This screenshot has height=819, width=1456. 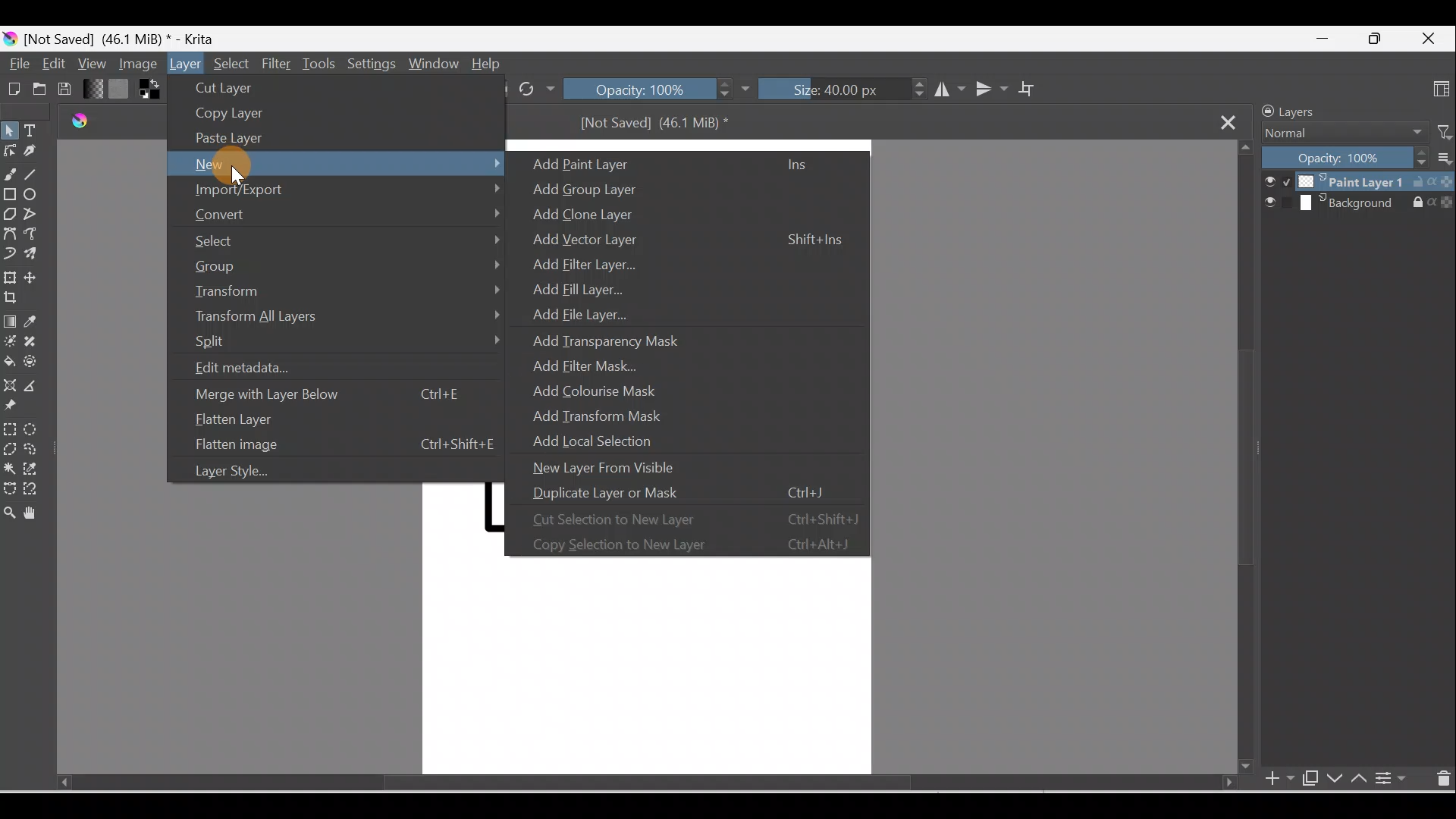 What do you see at coordinates (680, 242) in the screenshot?
I see `Add vector layer  Shift+Ins` at bounding box center [680, 242].